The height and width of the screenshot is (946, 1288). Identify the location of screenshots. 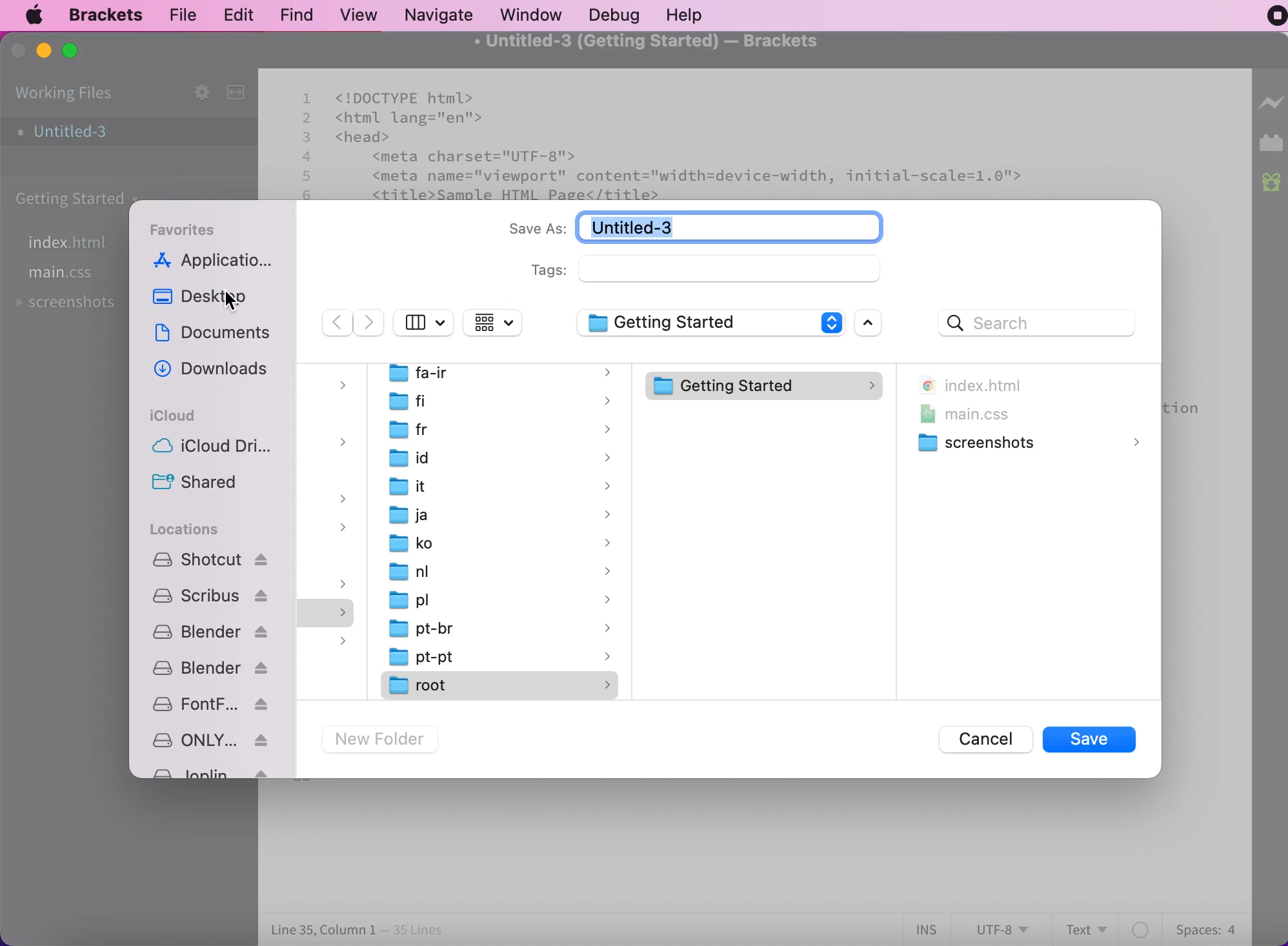
(1030, 442).